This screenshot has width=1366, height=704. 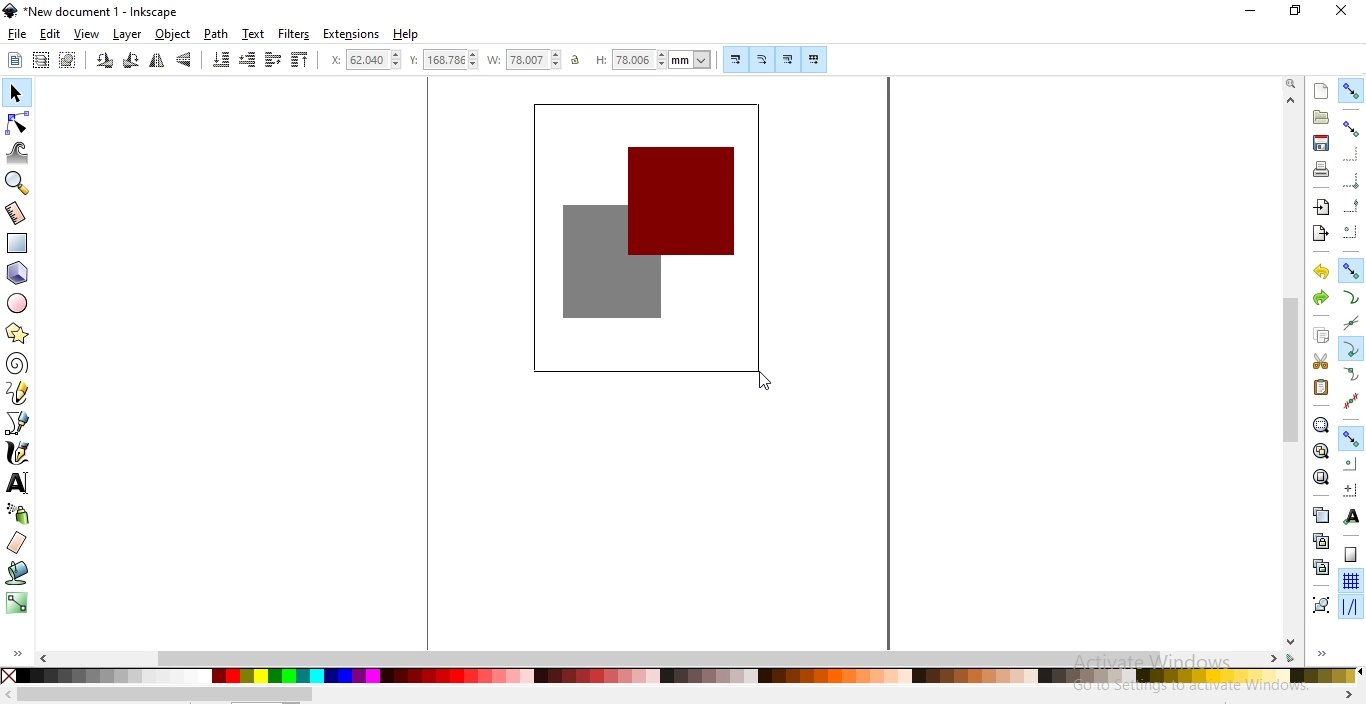 What do you see at coordinates (157, 62) in the screenshot?
I see `flip horizontal` at bounding box center [157, 62].